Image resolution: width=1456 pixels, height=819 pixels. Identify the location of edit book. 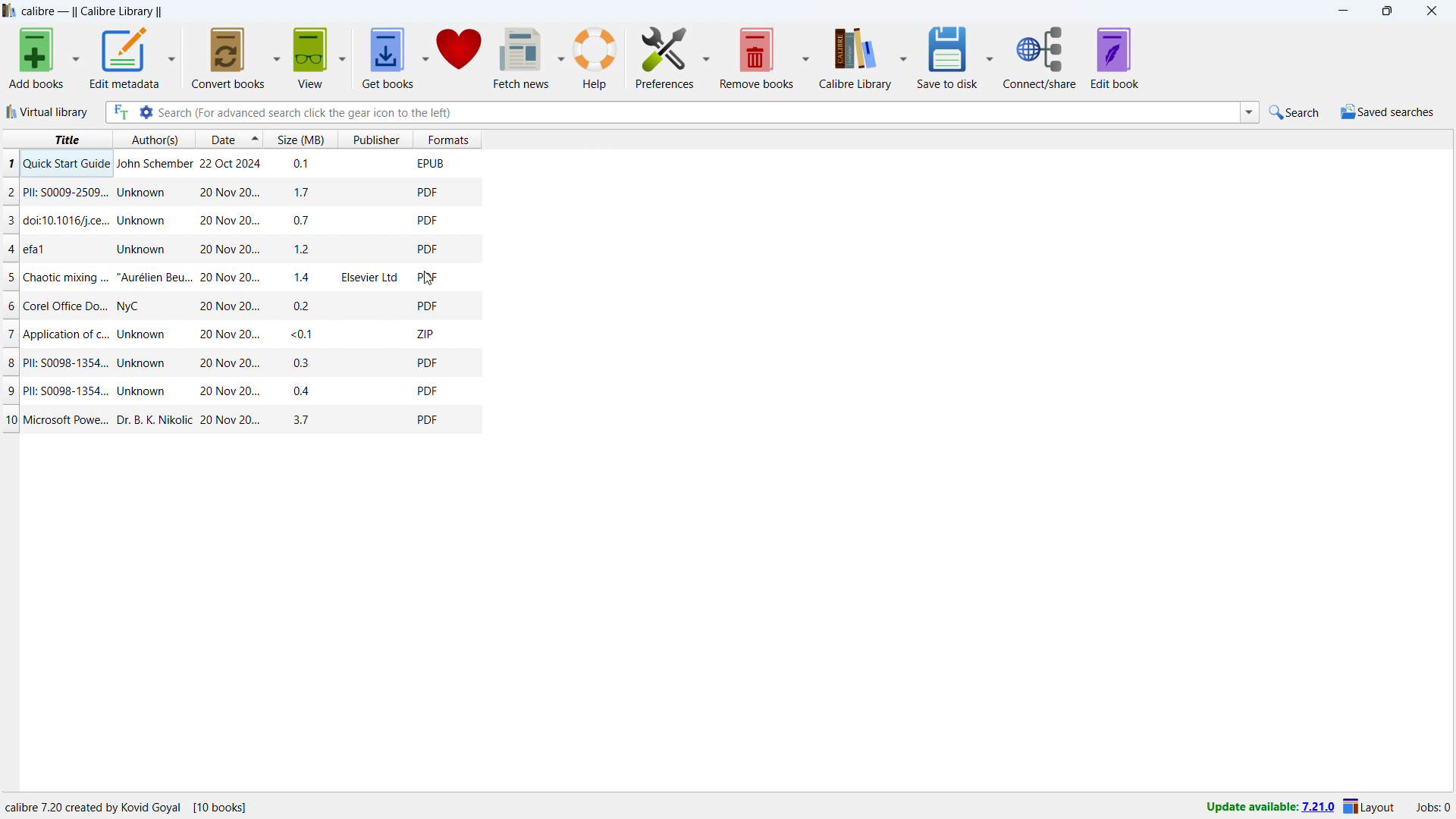
(1115, 58).